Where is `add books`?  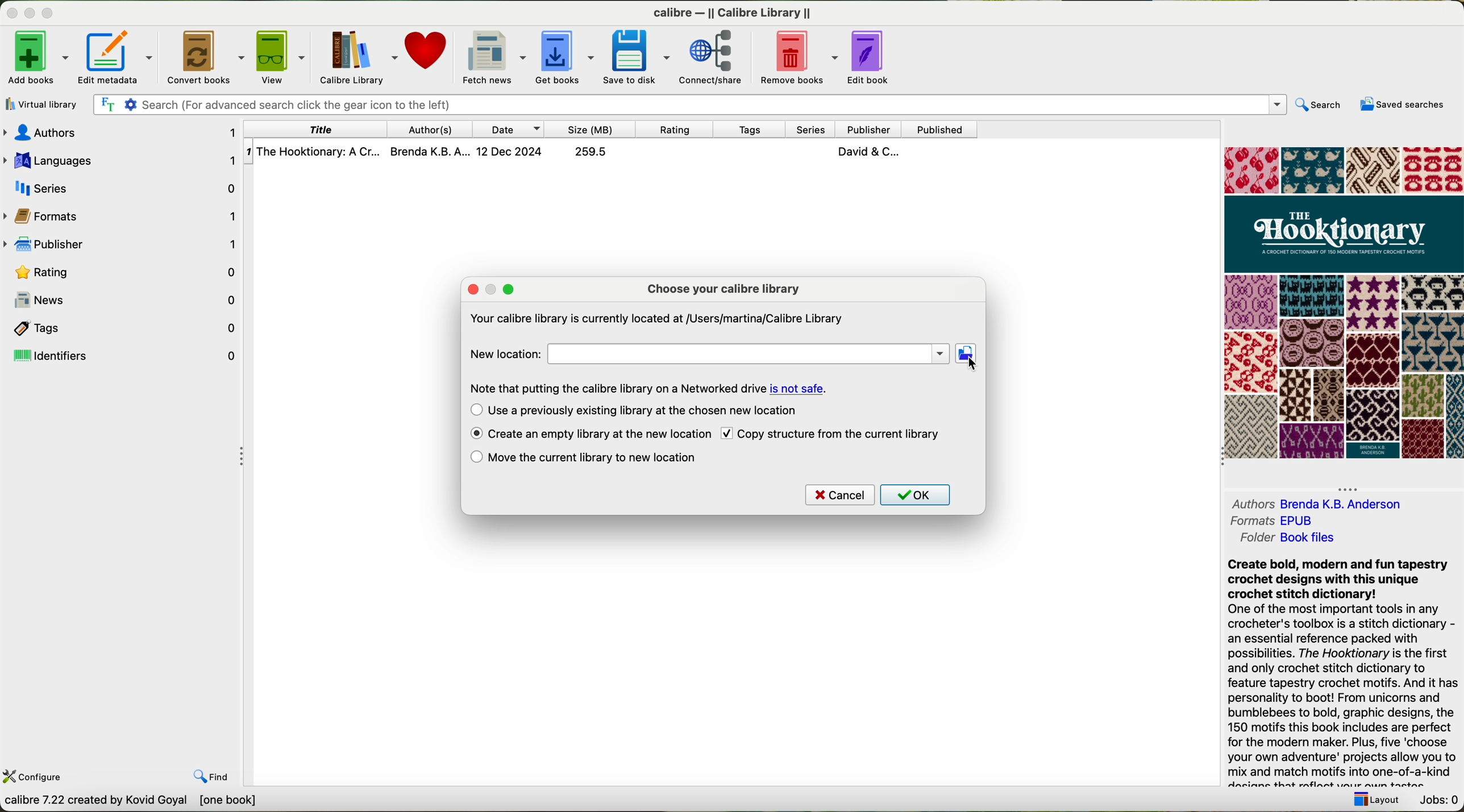
add books is located at coordinates (36, 58).